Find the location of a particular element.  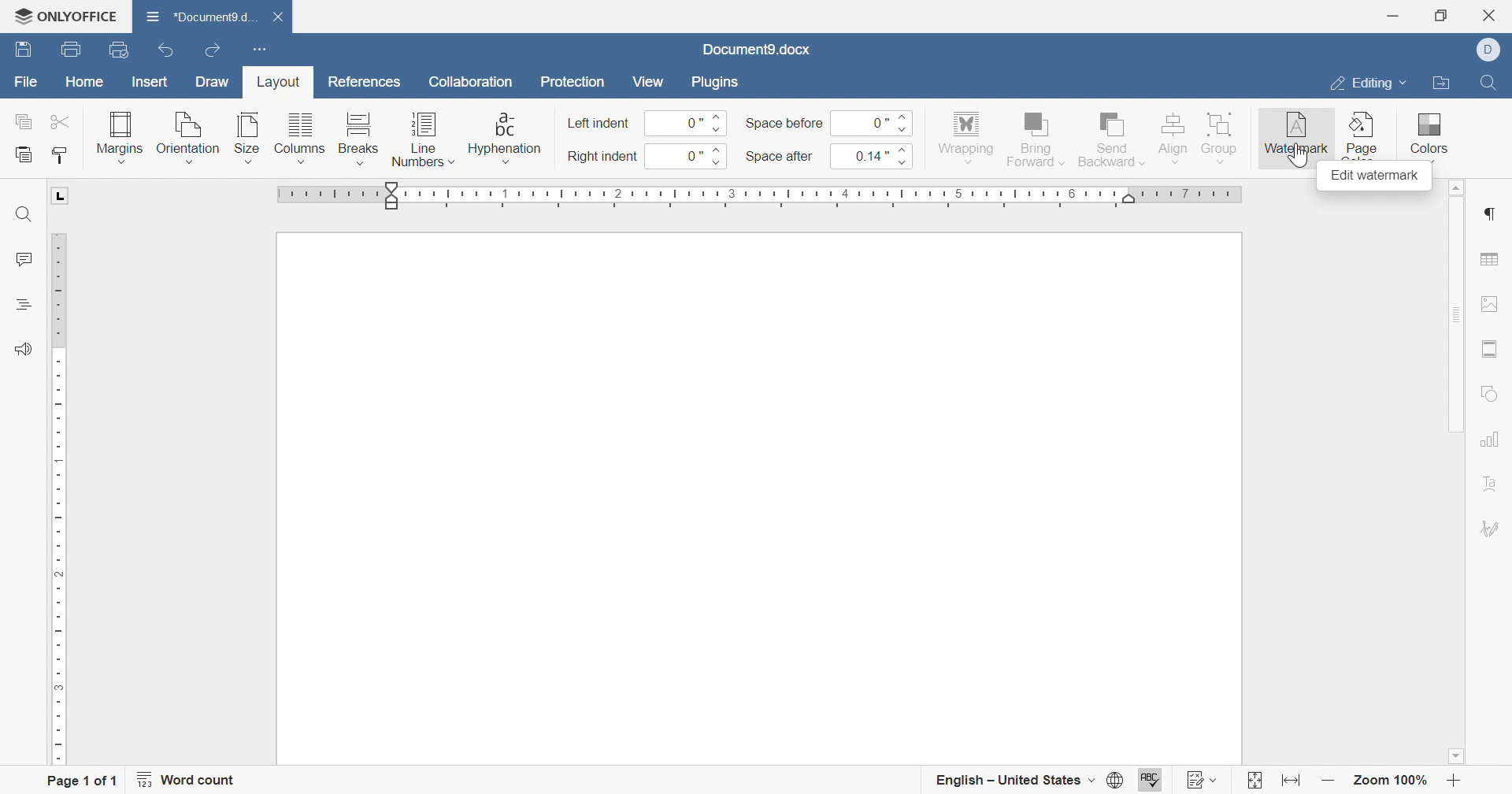

word count is located at coordinates (187, 780).